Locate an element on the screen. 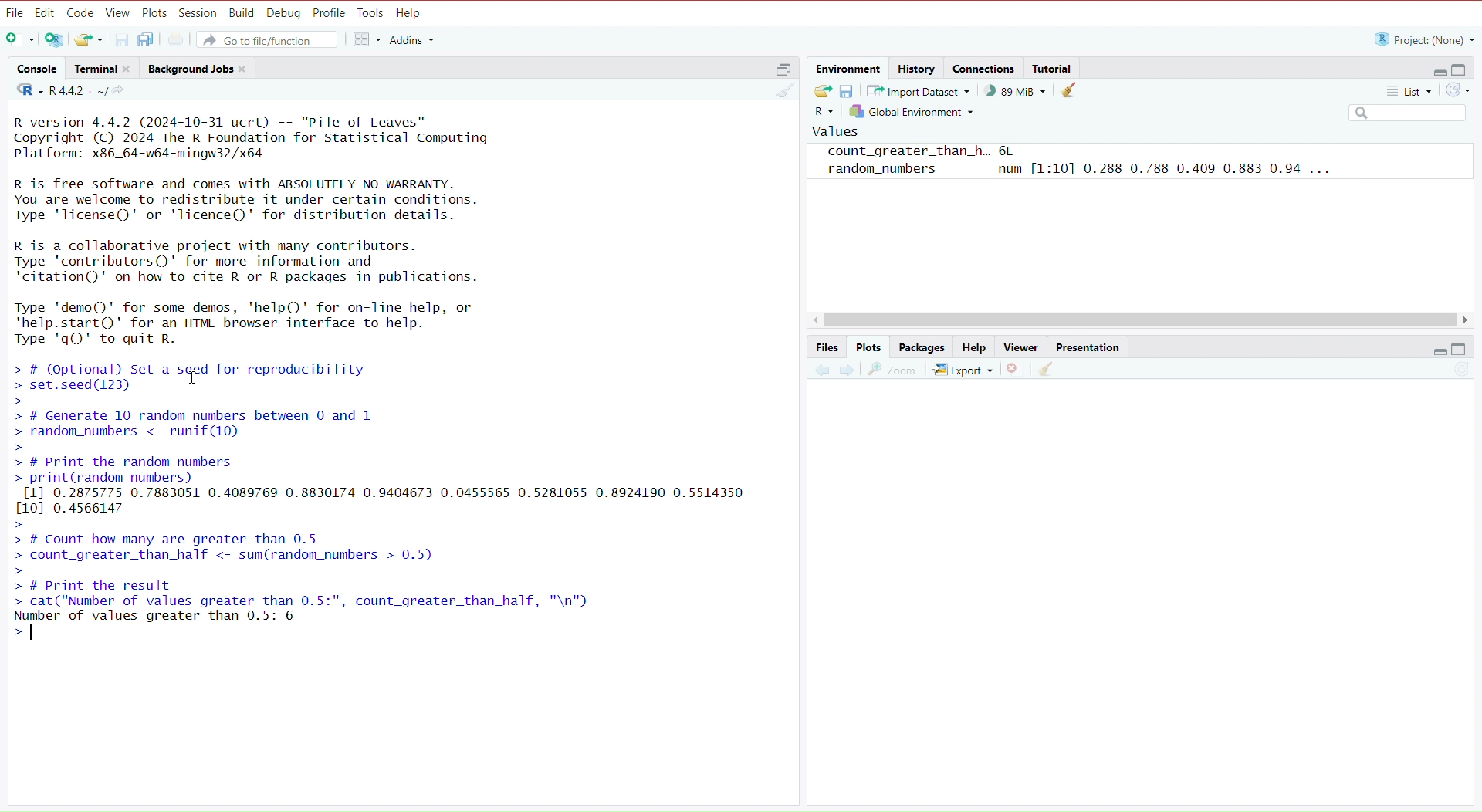  Open new project is located at coordinates (52, 40).